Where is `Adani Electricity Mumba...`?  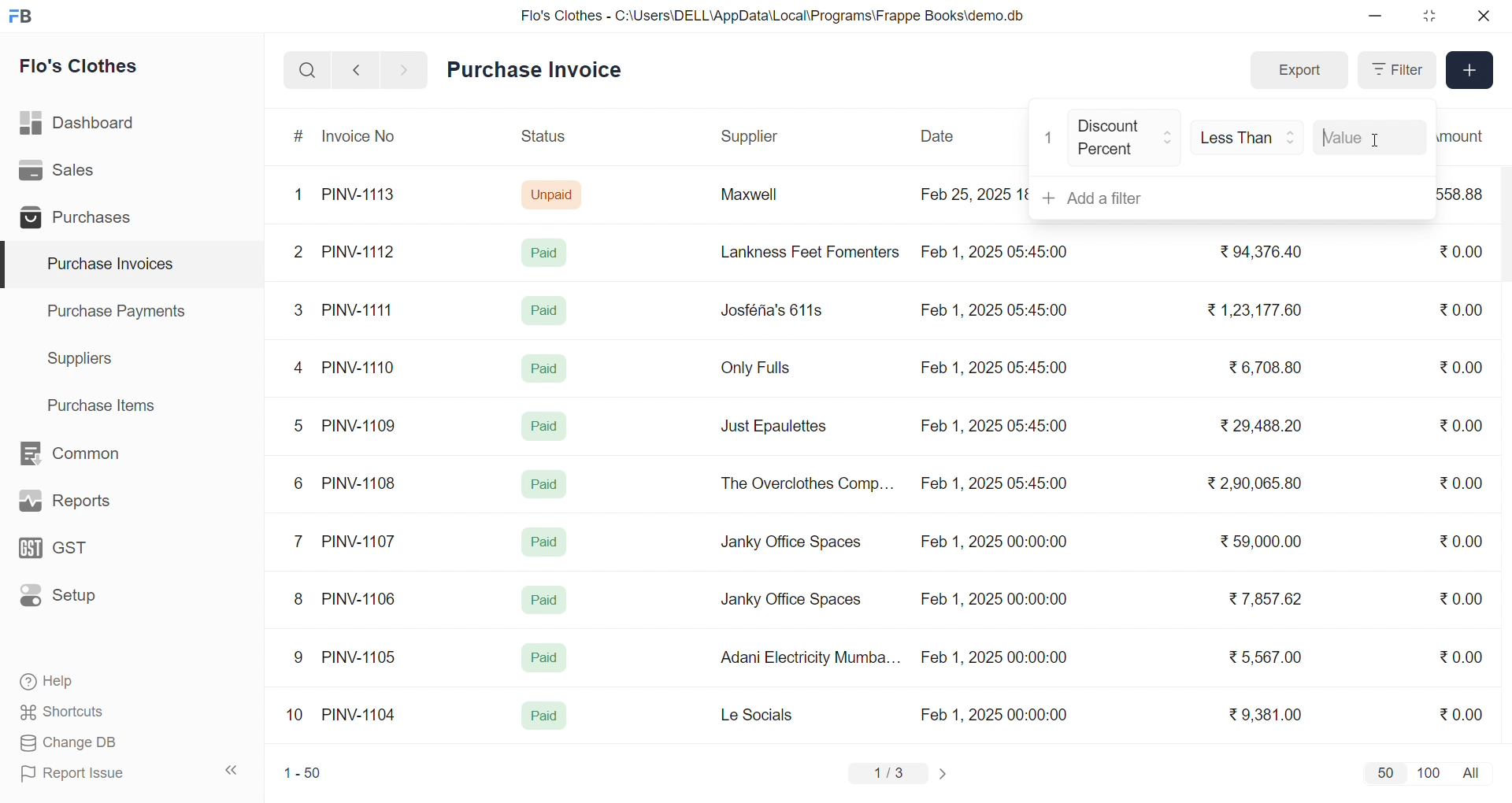
Adani Electricity Mumba... is located at coordinates (812, 658).